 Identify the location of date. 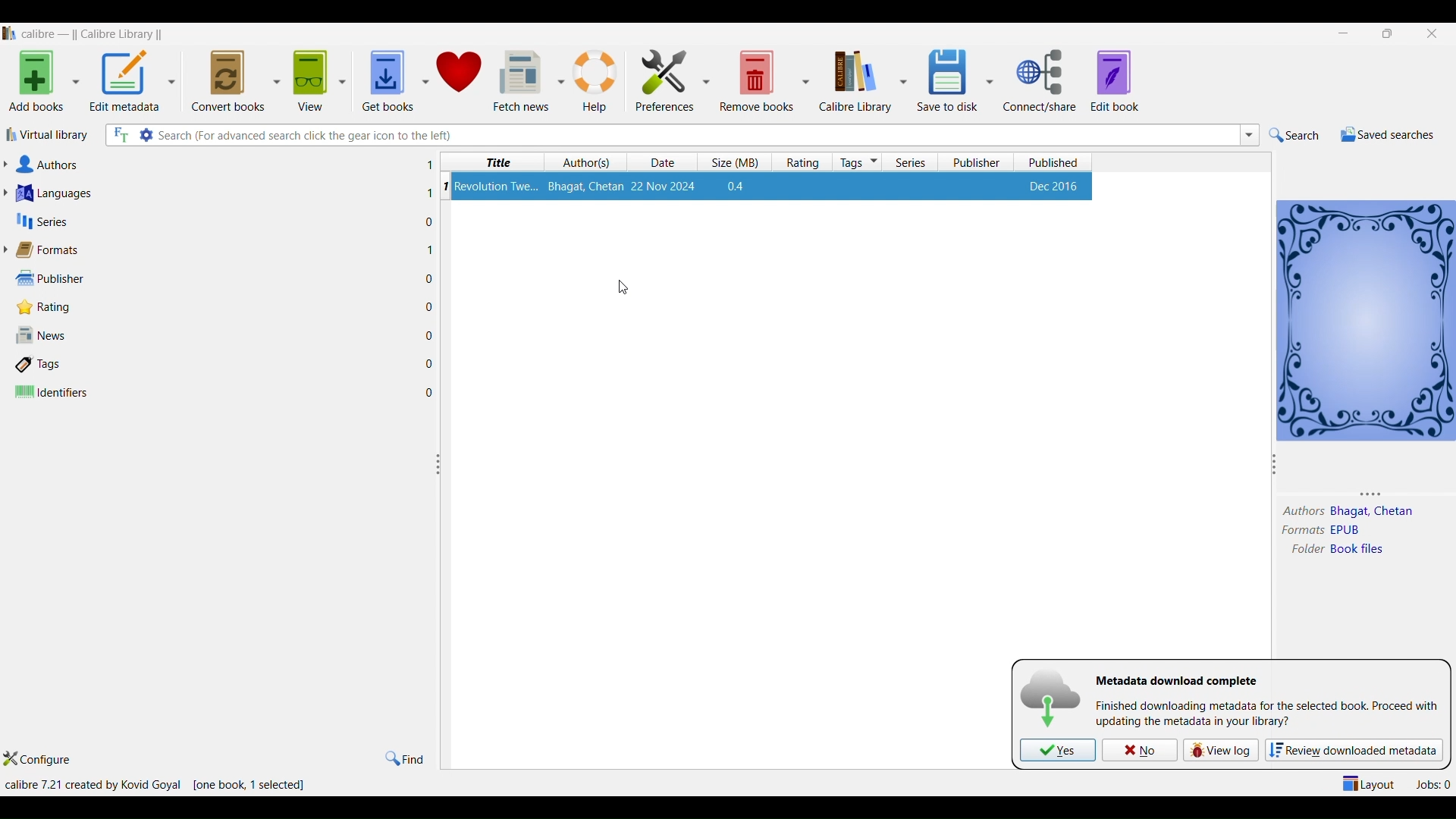
(659, 162).